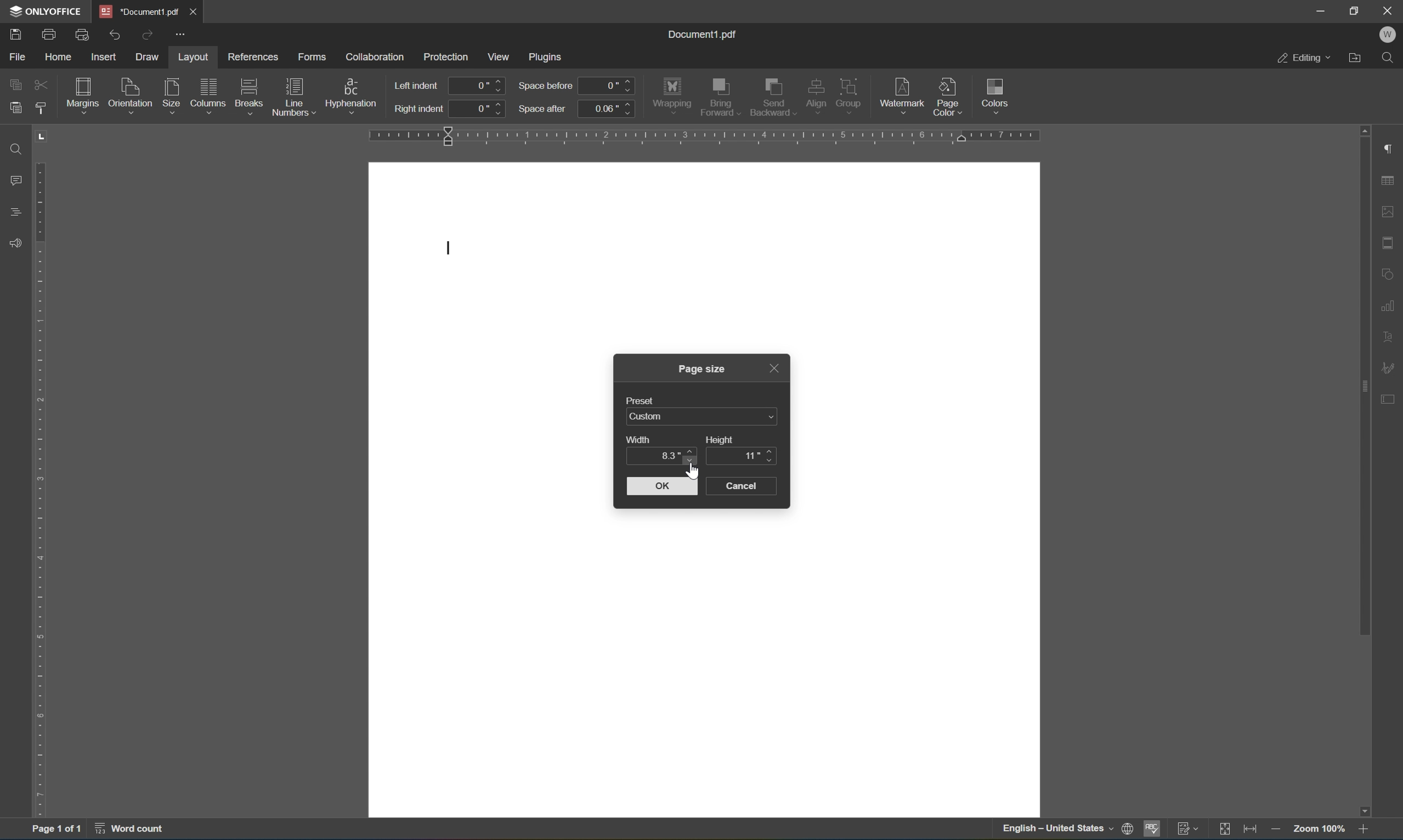 Image resolution: width=1403 pixels, height=840 pixels. I want to click on set document language, so click(1067, 830).